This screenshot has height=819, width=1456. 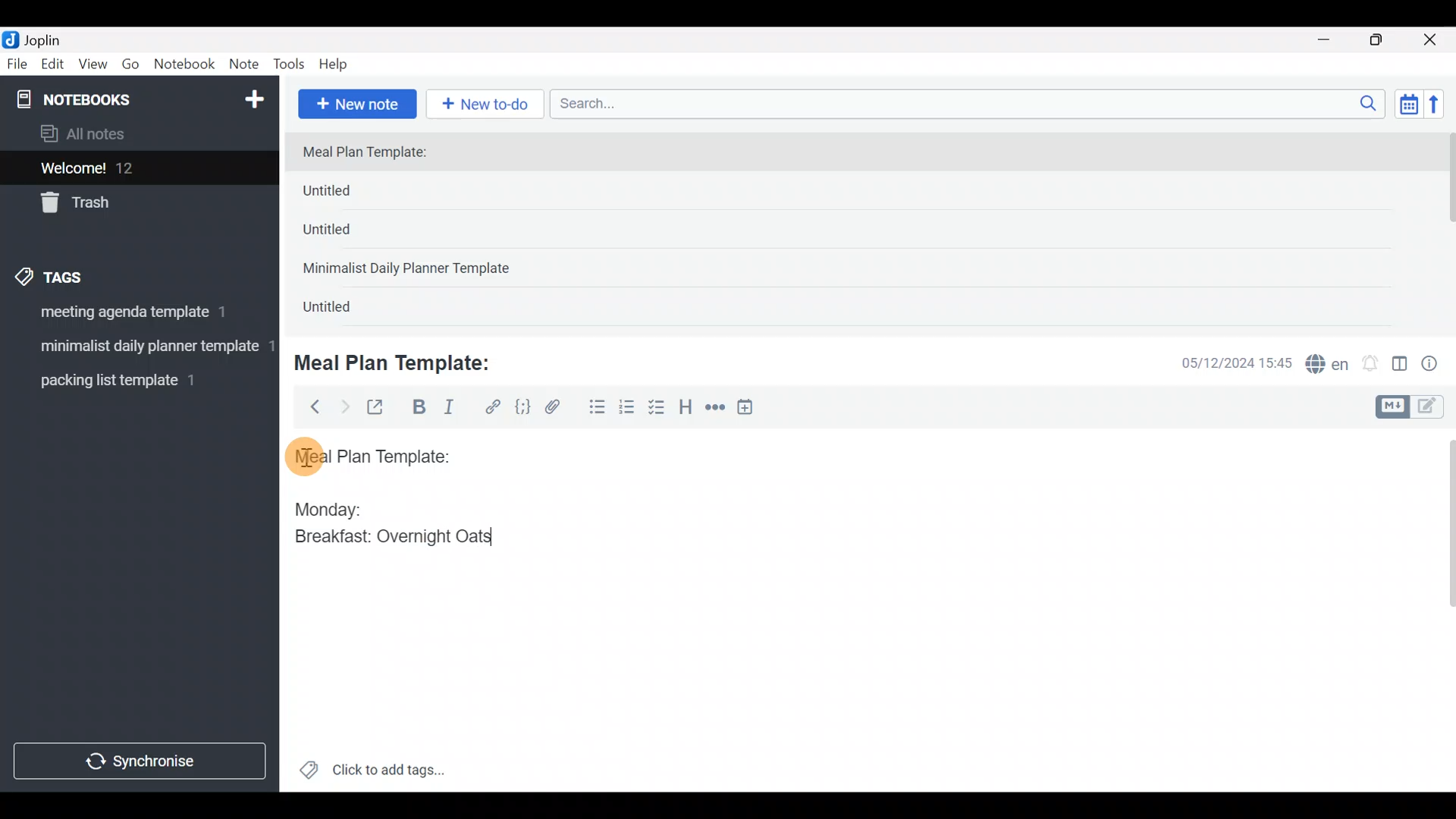 What do you see at coordinates (18, 64) in the screenshot?
I see `File` at bounding box center [18, 64].